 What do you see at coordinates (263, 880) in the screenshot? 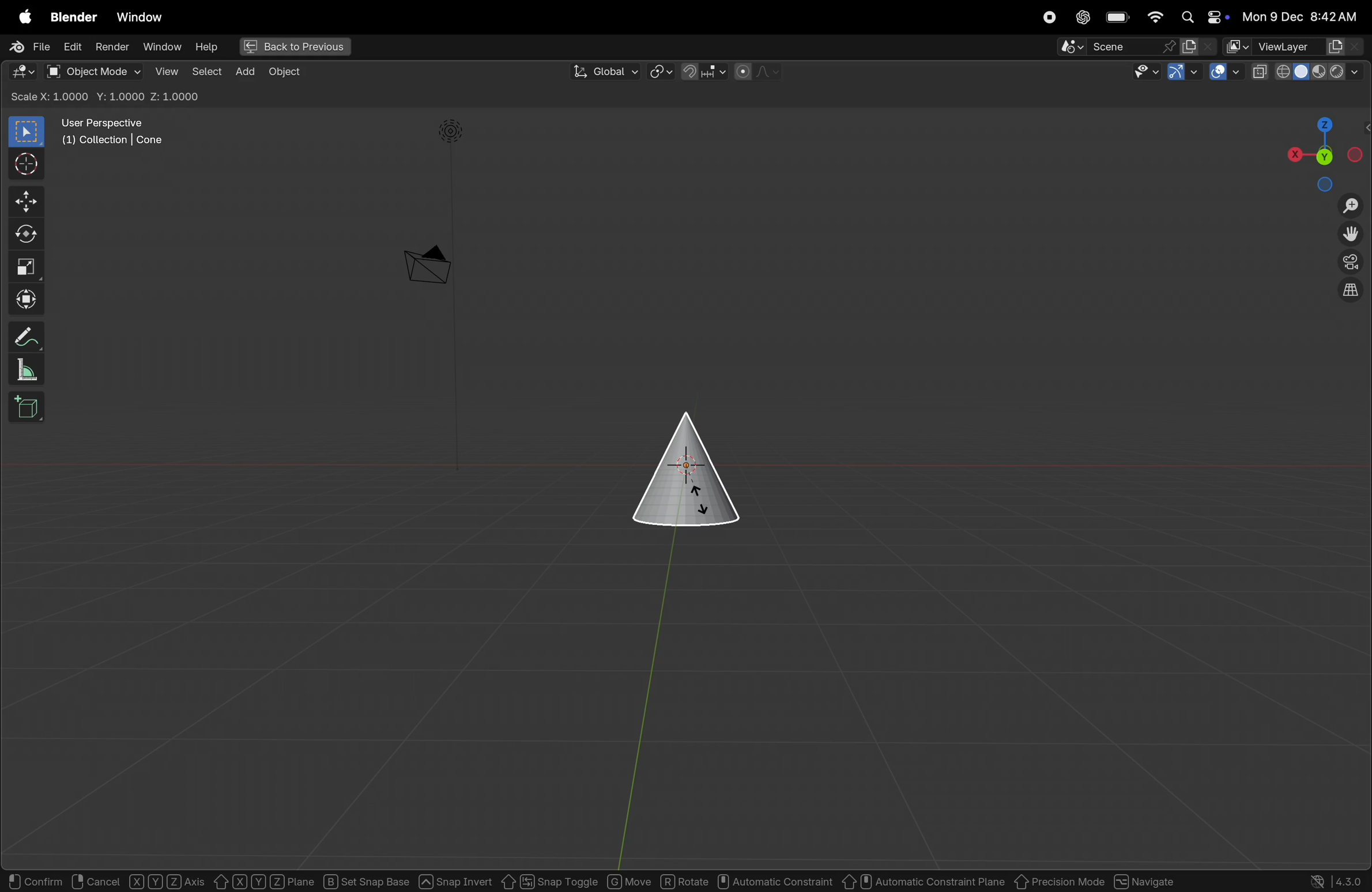
I see `X Y Z Plane` at bounding box center [263, 880].